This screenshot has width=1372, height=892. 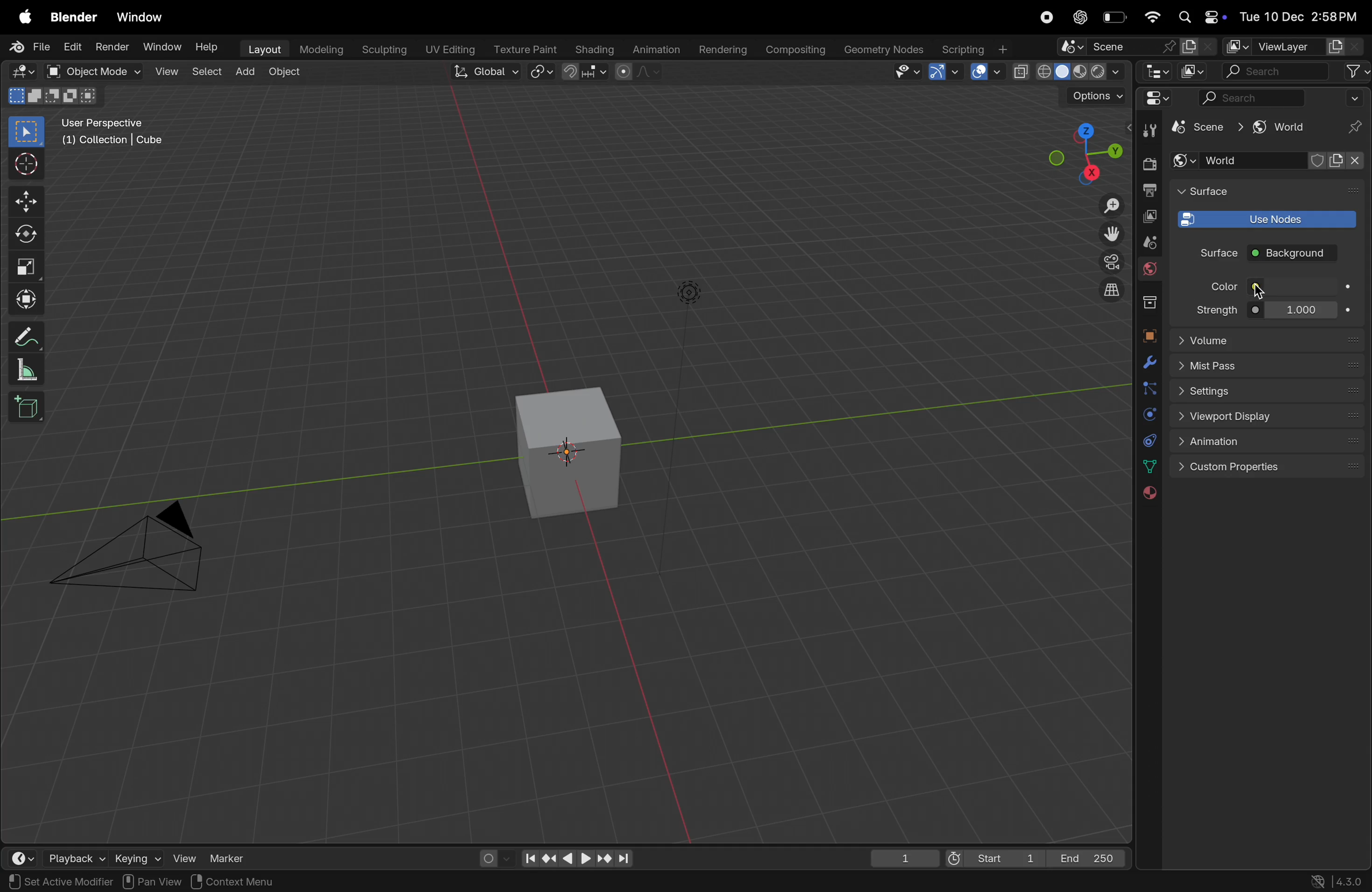 What do you see at coordinates (1220, 287) in the screenshot?
I see `Color` at bounding box center [1220, 287].